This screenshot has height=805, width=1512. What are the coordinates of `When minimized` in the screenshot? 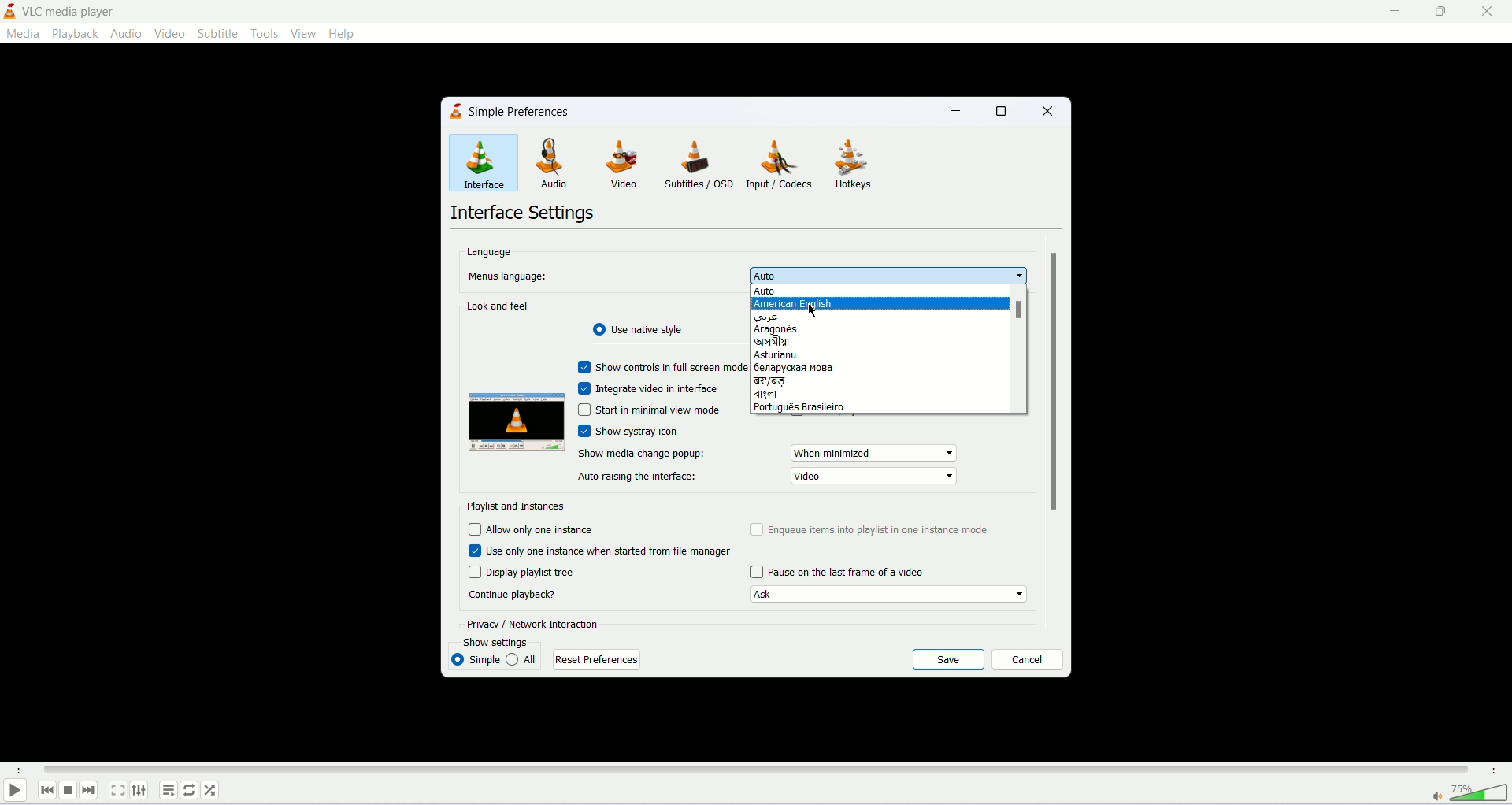 It's located at (874, 452).